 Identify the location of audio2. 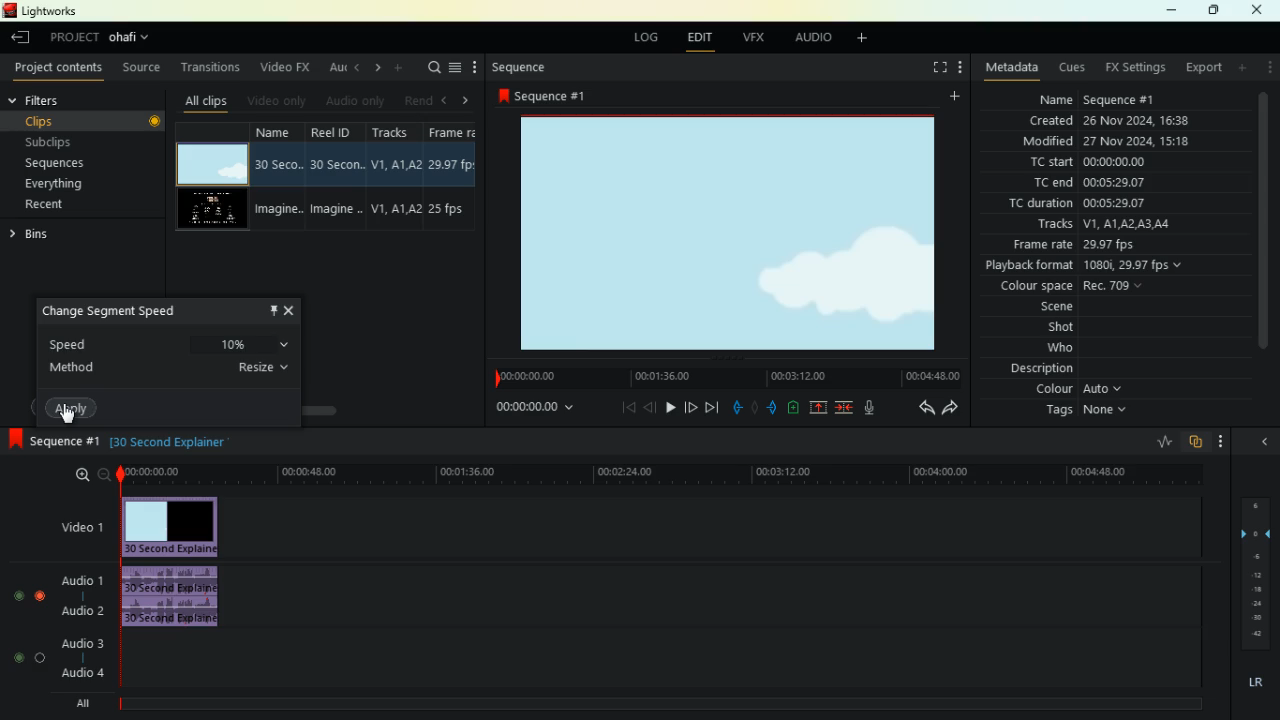
(78, 610).